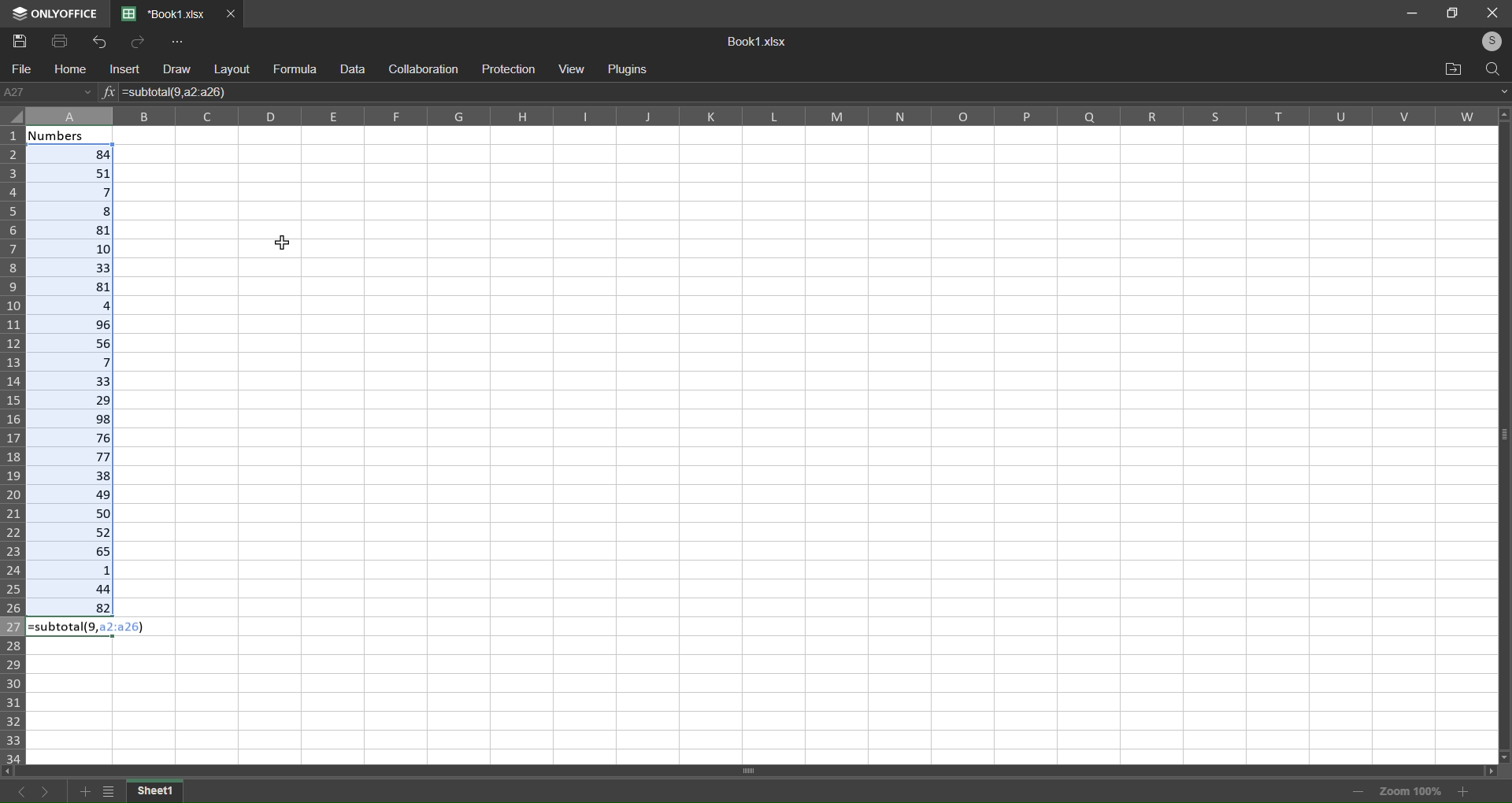 The width and height of the screenshot is (1512, 803). What do you see at coordinates (72, 379) in the screenshot?
I see `selected range` at bounding box center [72, 379].